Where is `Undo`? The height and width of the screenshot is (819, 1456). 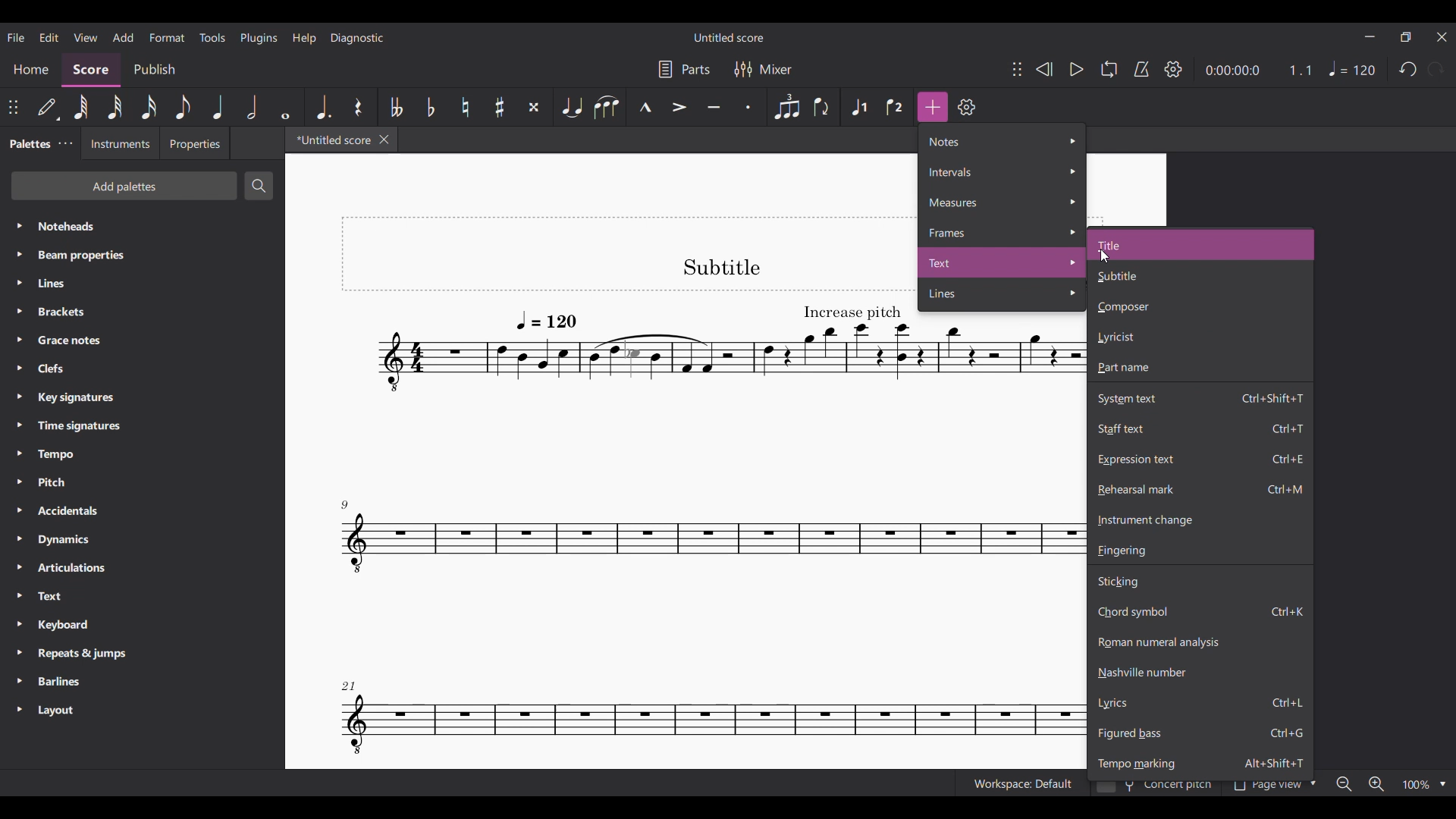 Undo is located at coordinates (1408, 70).